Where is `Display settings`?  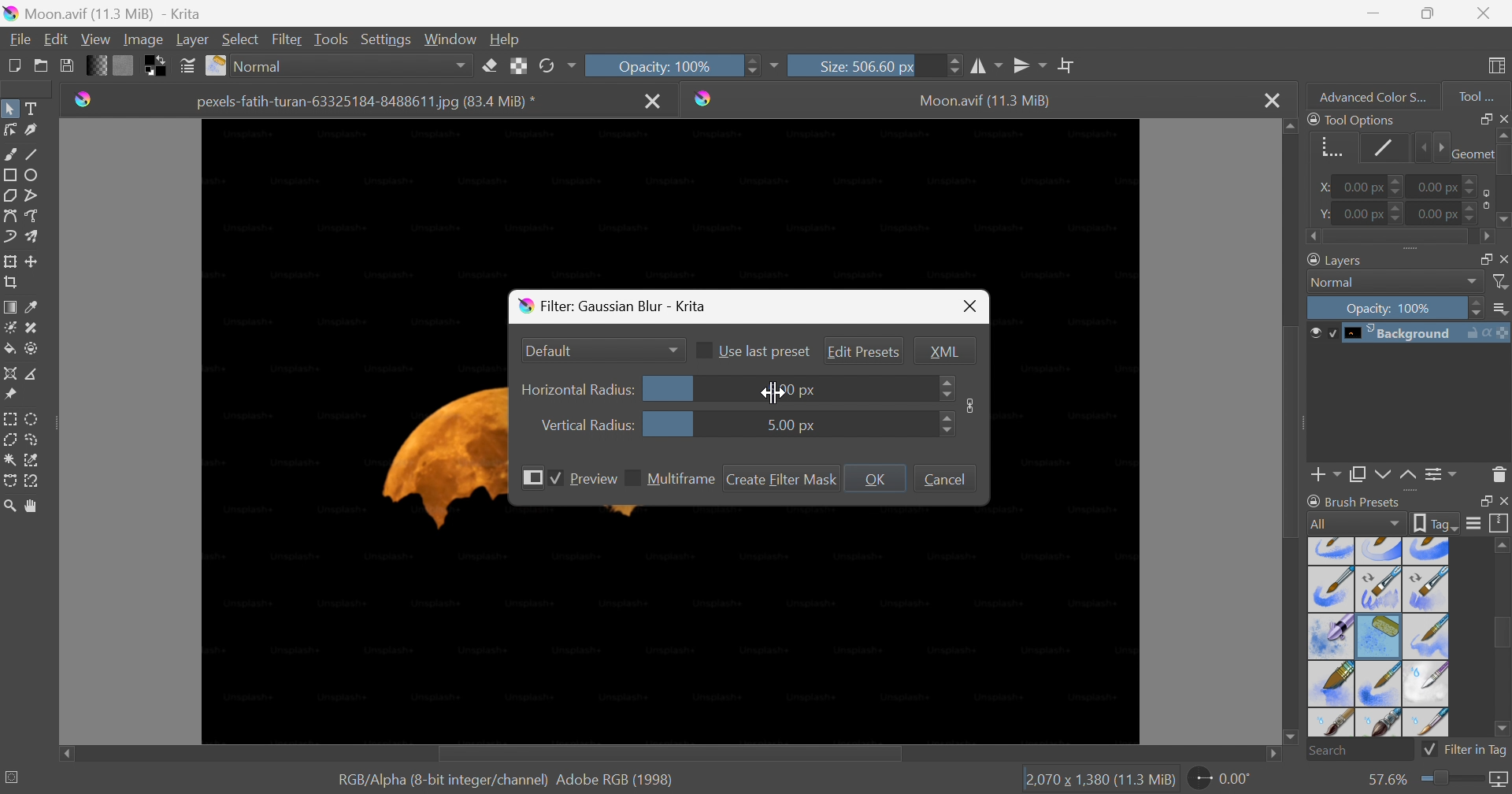 Display settings is located at coordinates (1477, 522).